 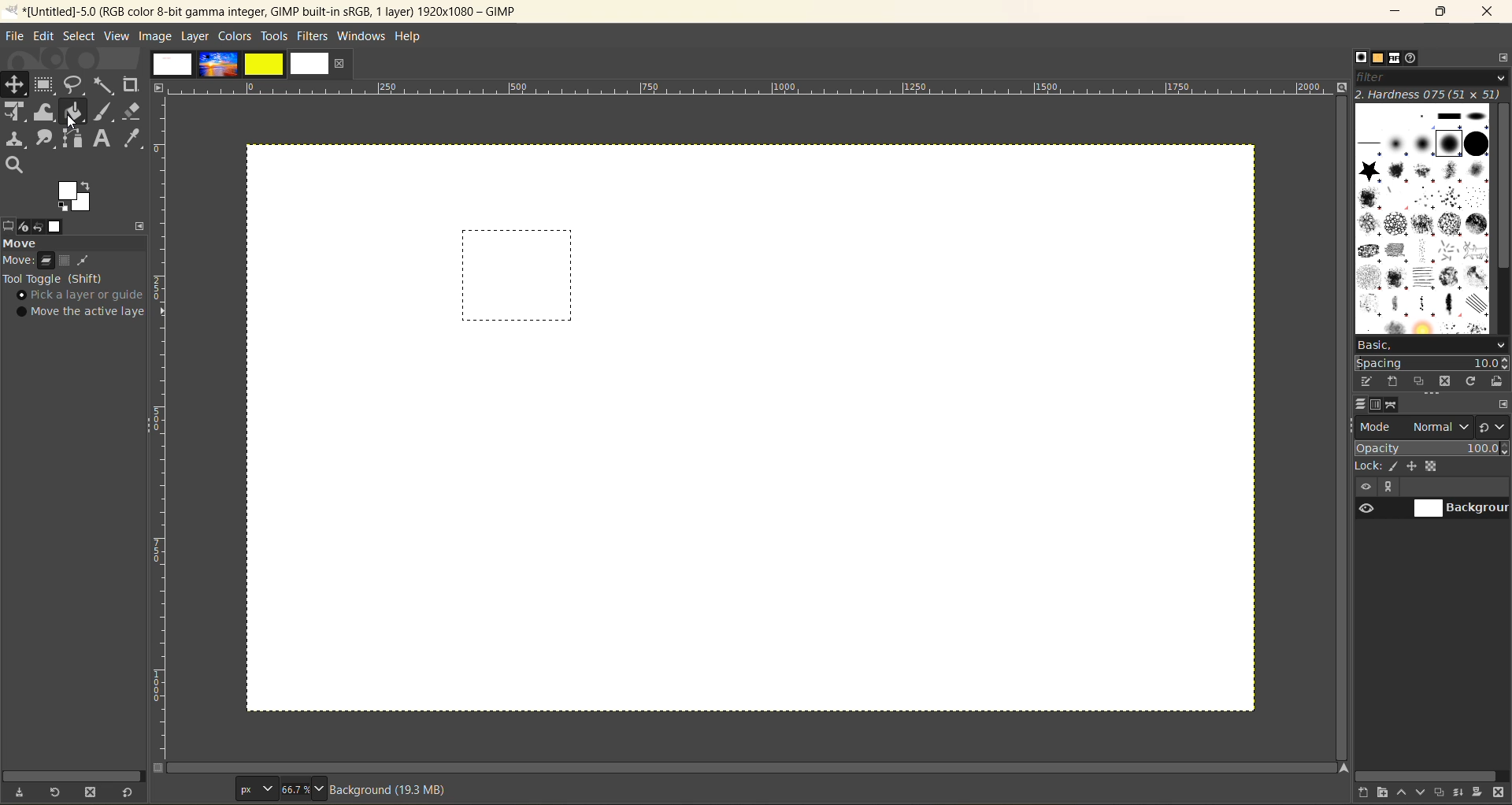 I want to click on horizontal scroll bar, so click(x=72, y=773).